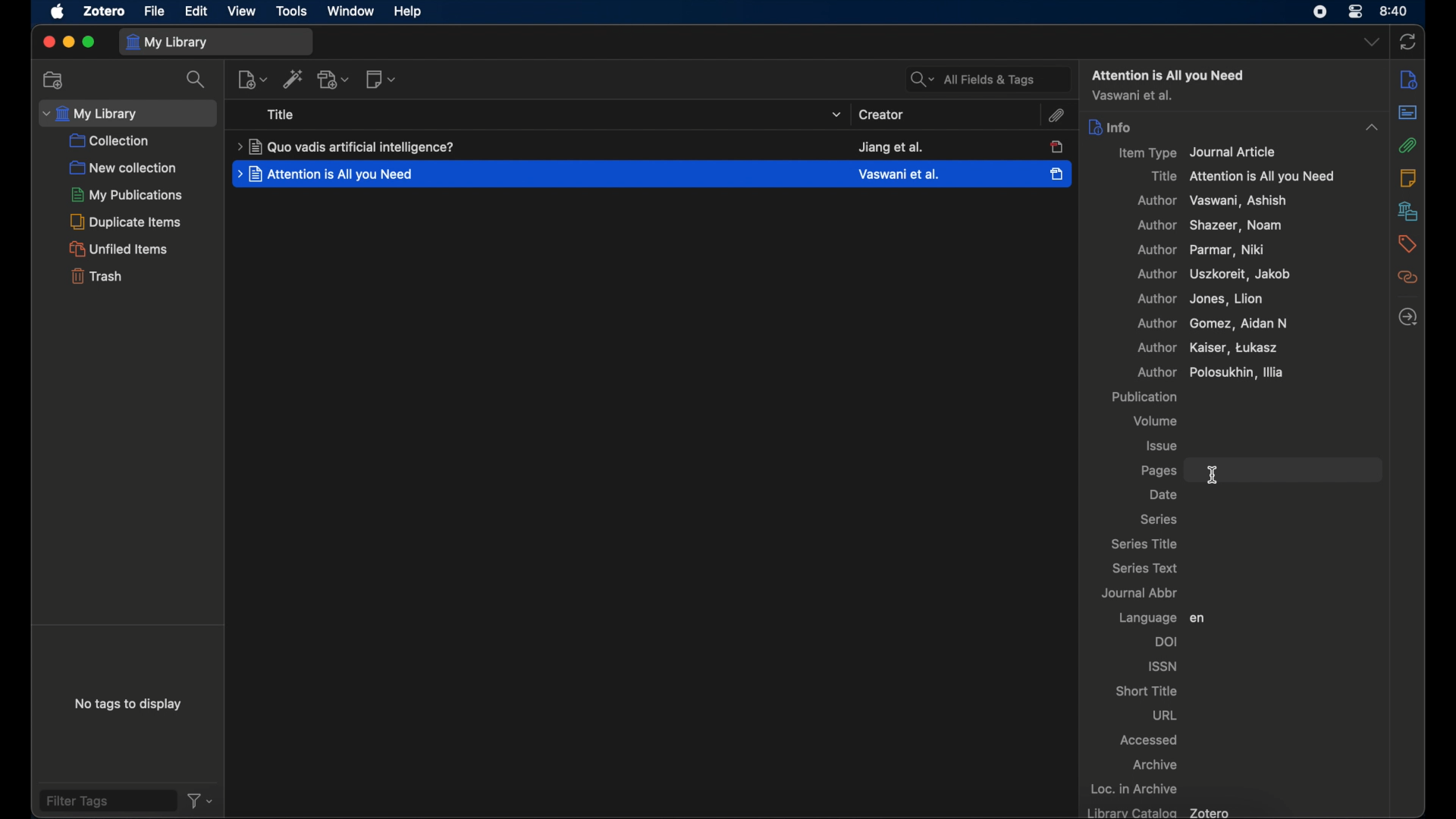 The height and width of the screenshot is (819, 1456). I want to click on creator creator name, so click(897, 174).